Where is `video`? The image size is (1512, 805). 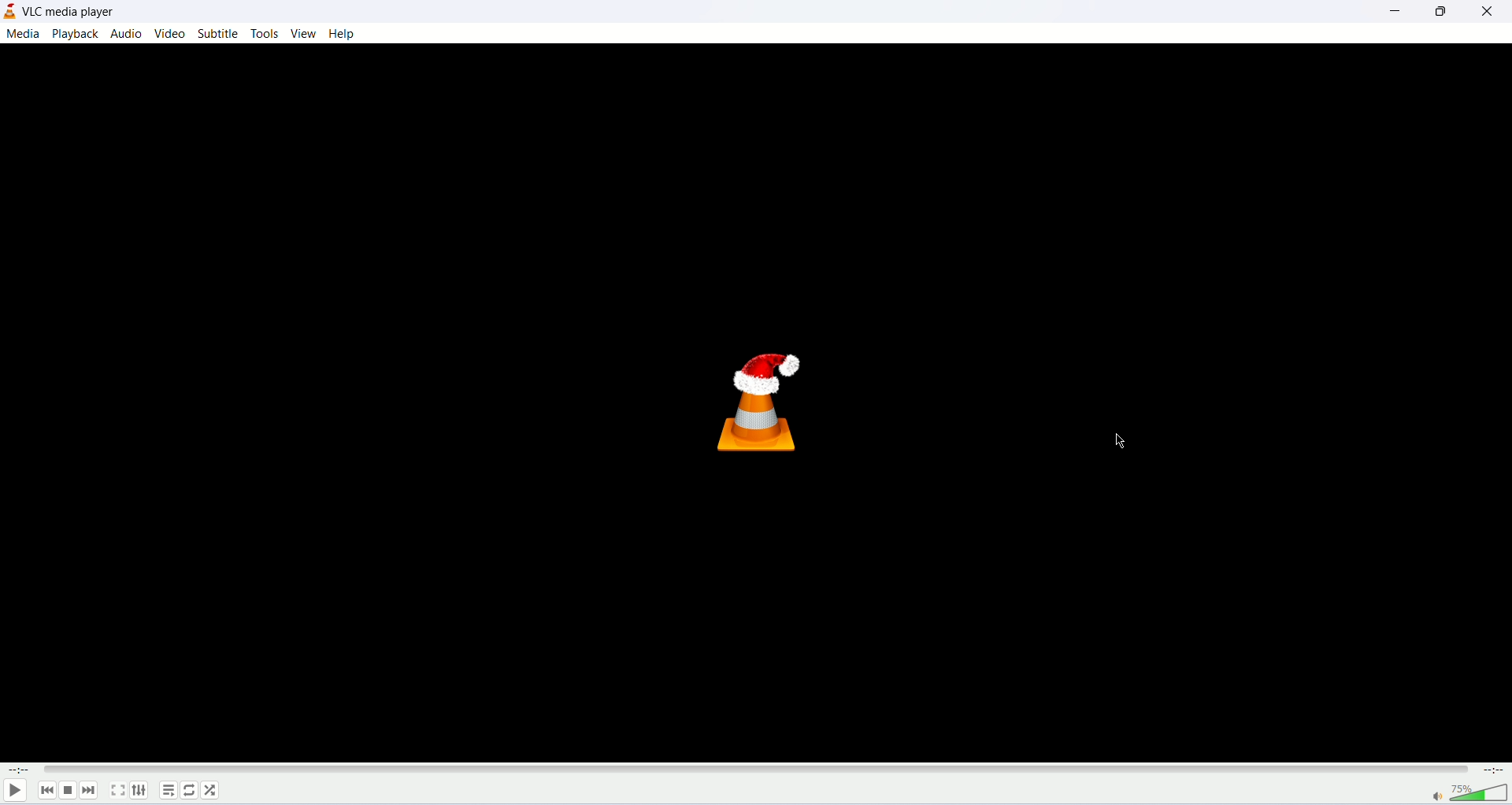 video is located at coordinates (169, 33).